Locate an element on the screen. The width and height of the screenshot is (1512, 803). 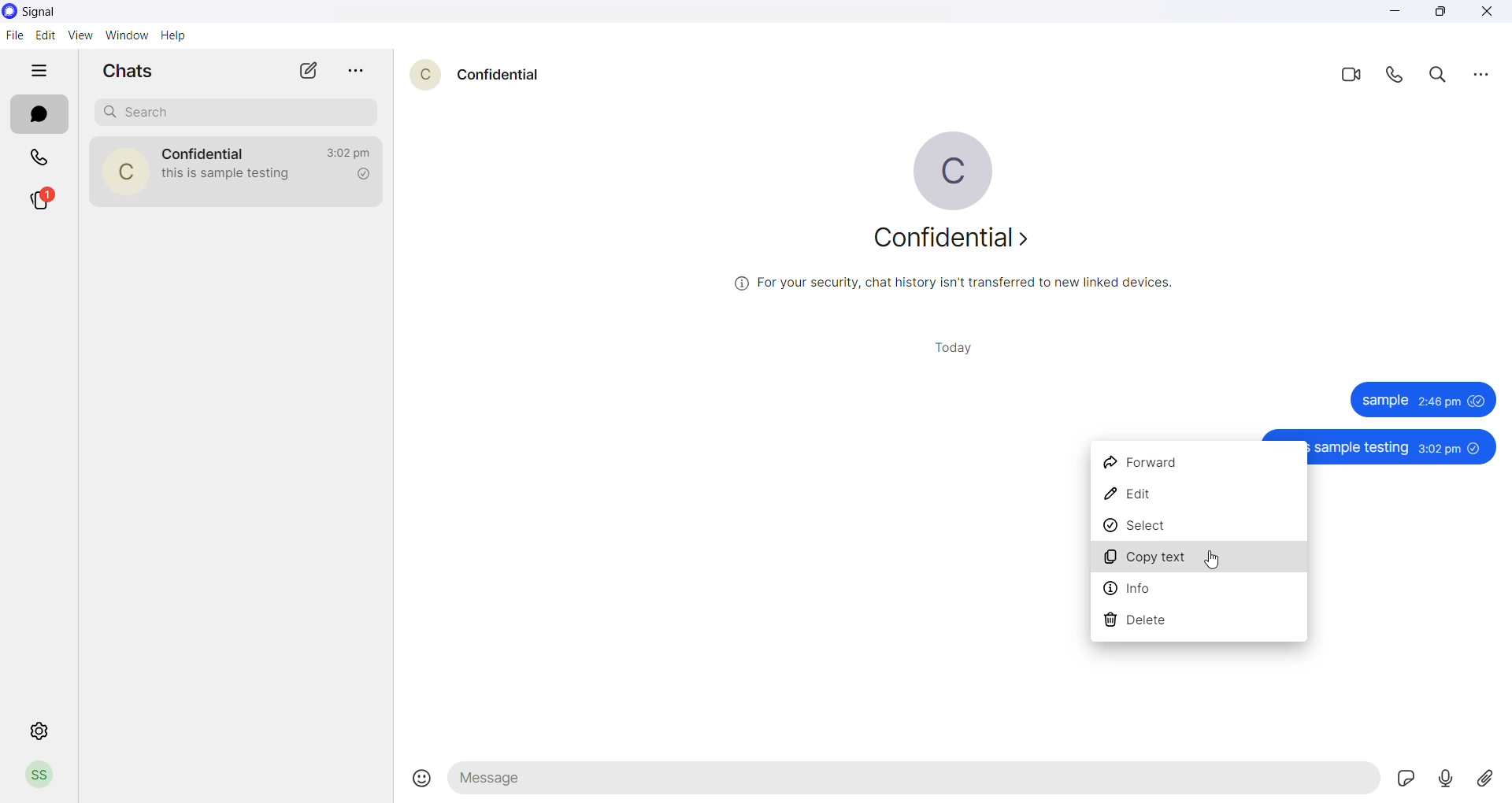
security information is located at coordinates (949, 285).